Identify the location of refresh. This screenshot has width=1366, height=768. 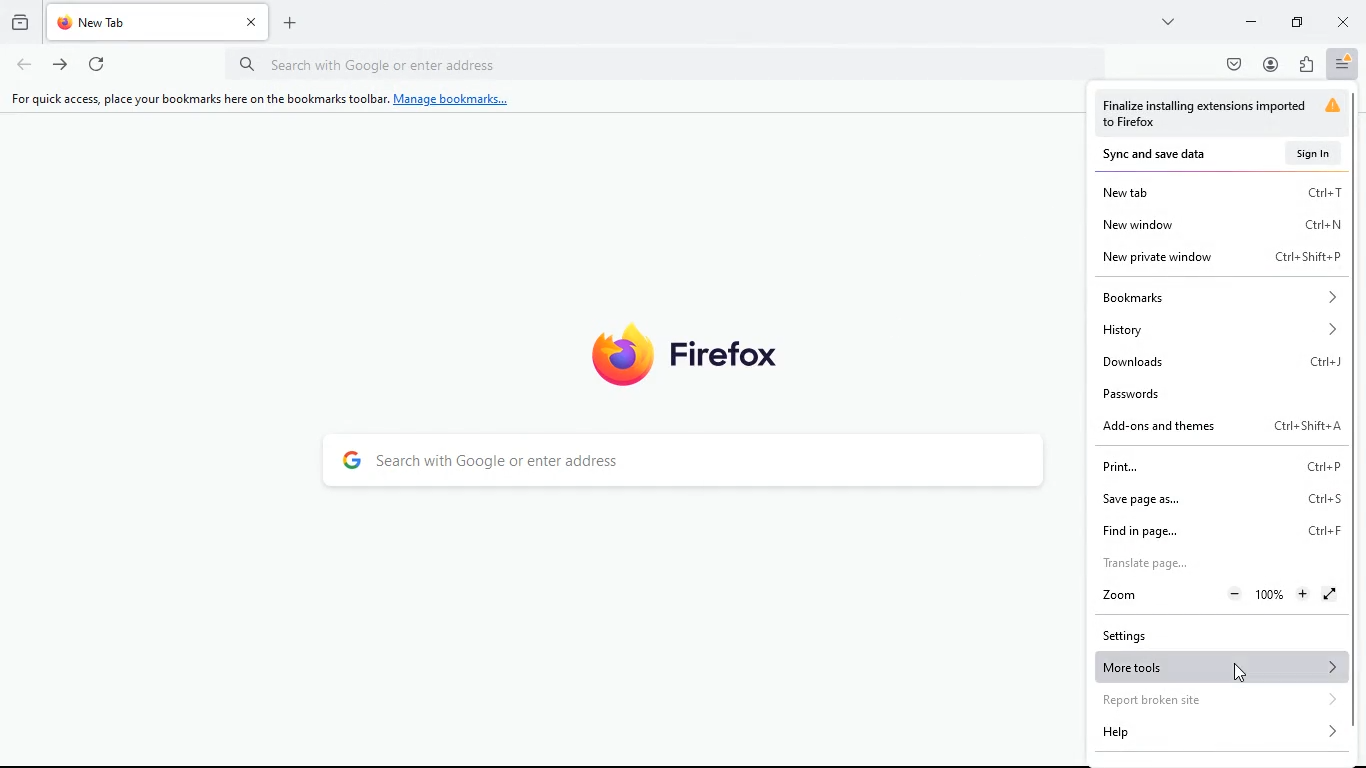
(98, 64).